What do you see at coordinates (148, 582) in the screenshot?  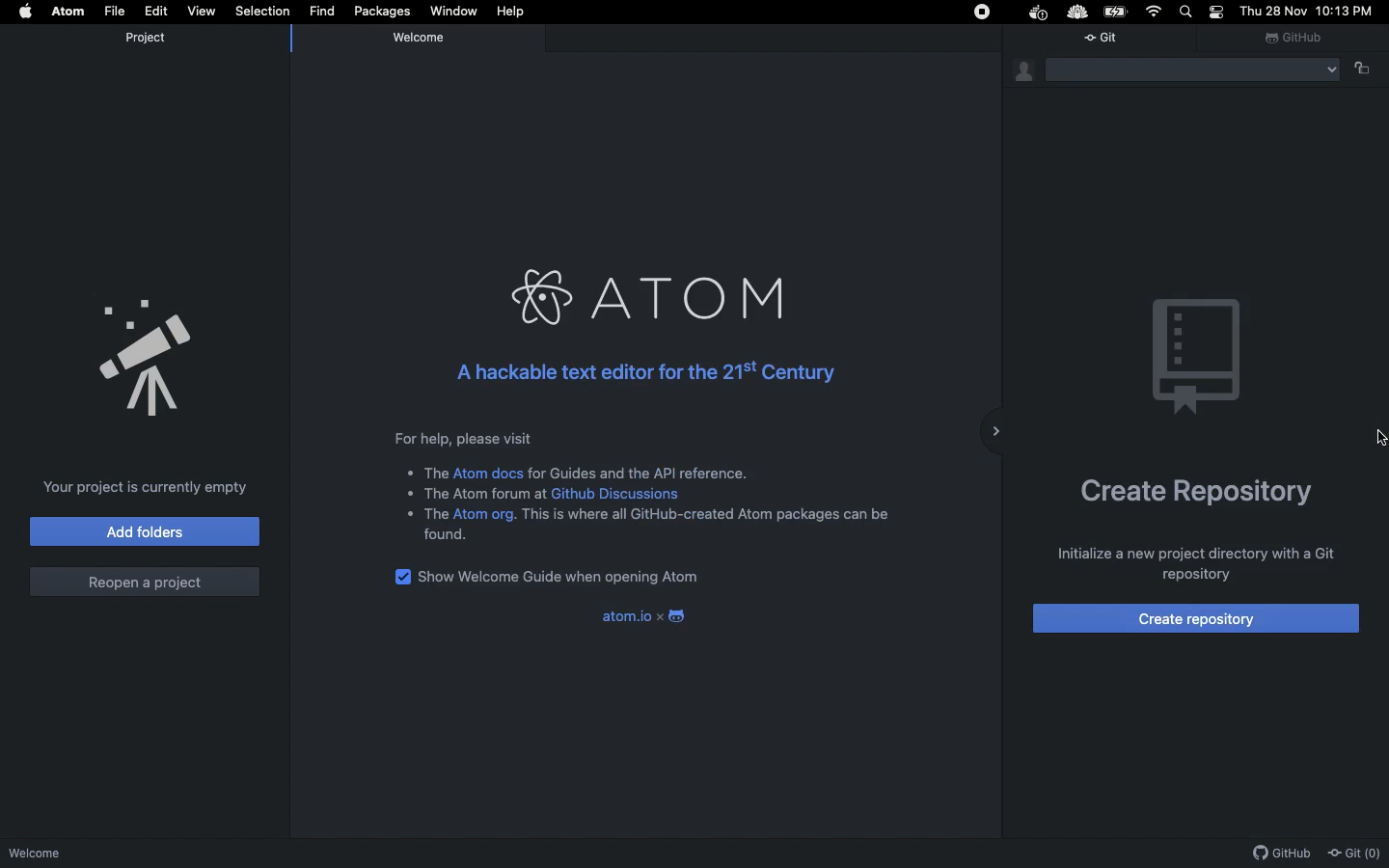 I see `Reopen a project` at bounding box center [148, 582].